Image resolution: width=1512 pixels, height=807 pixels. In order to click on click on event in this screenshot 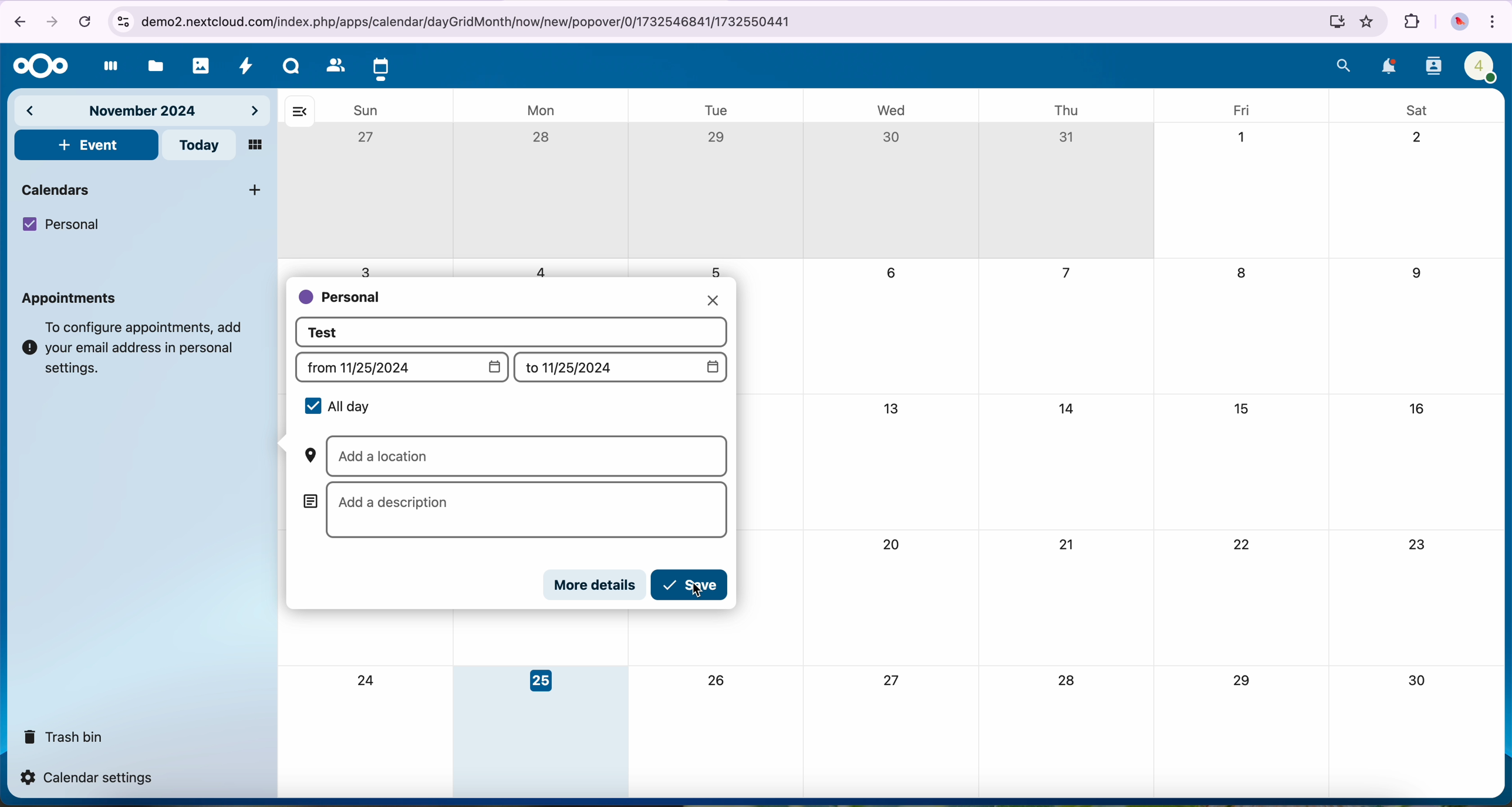, I will do `click(87, 146)`.